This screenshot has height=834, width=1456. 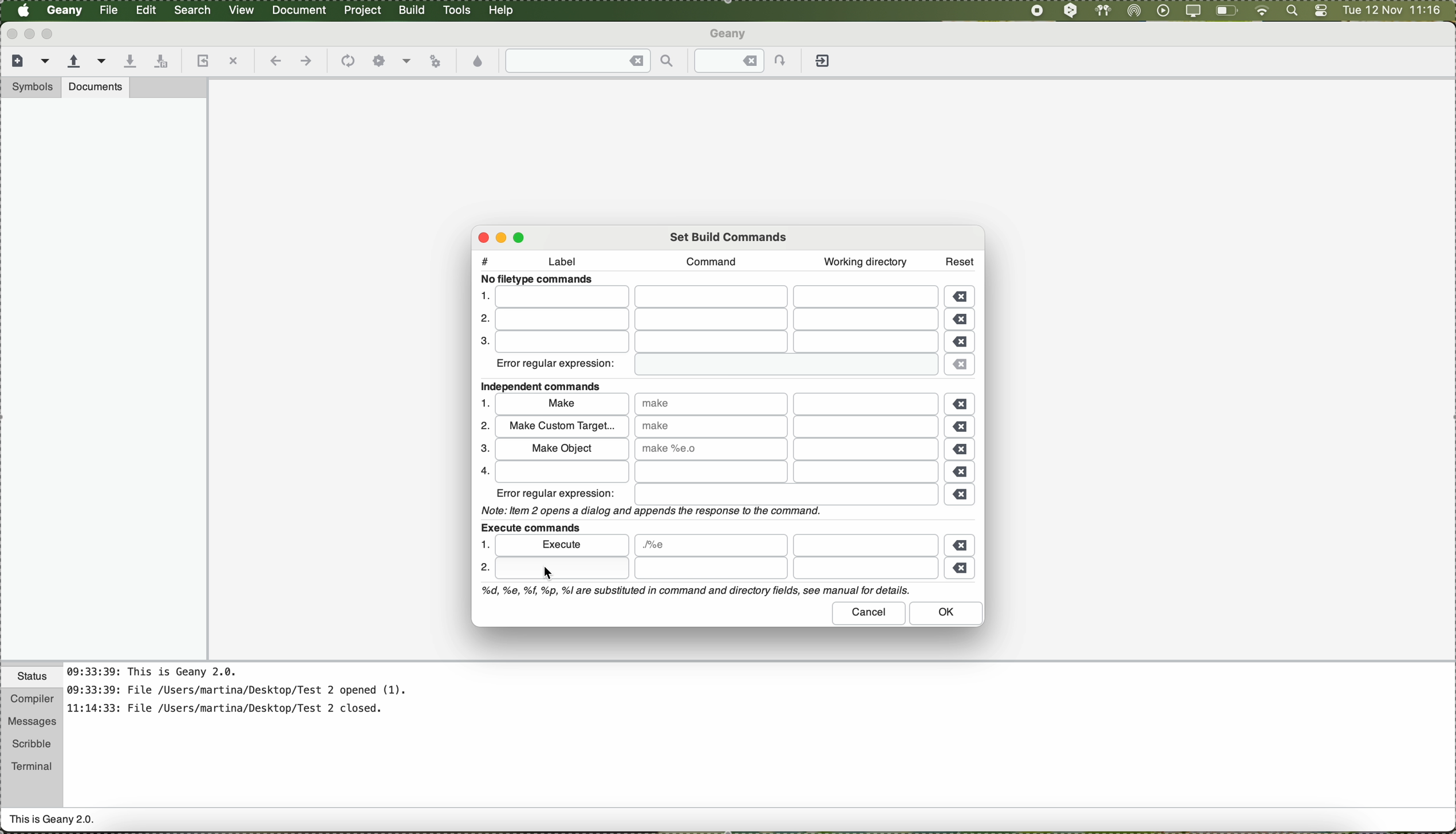 I want to click on independent commands, so click(x=546, y=387).